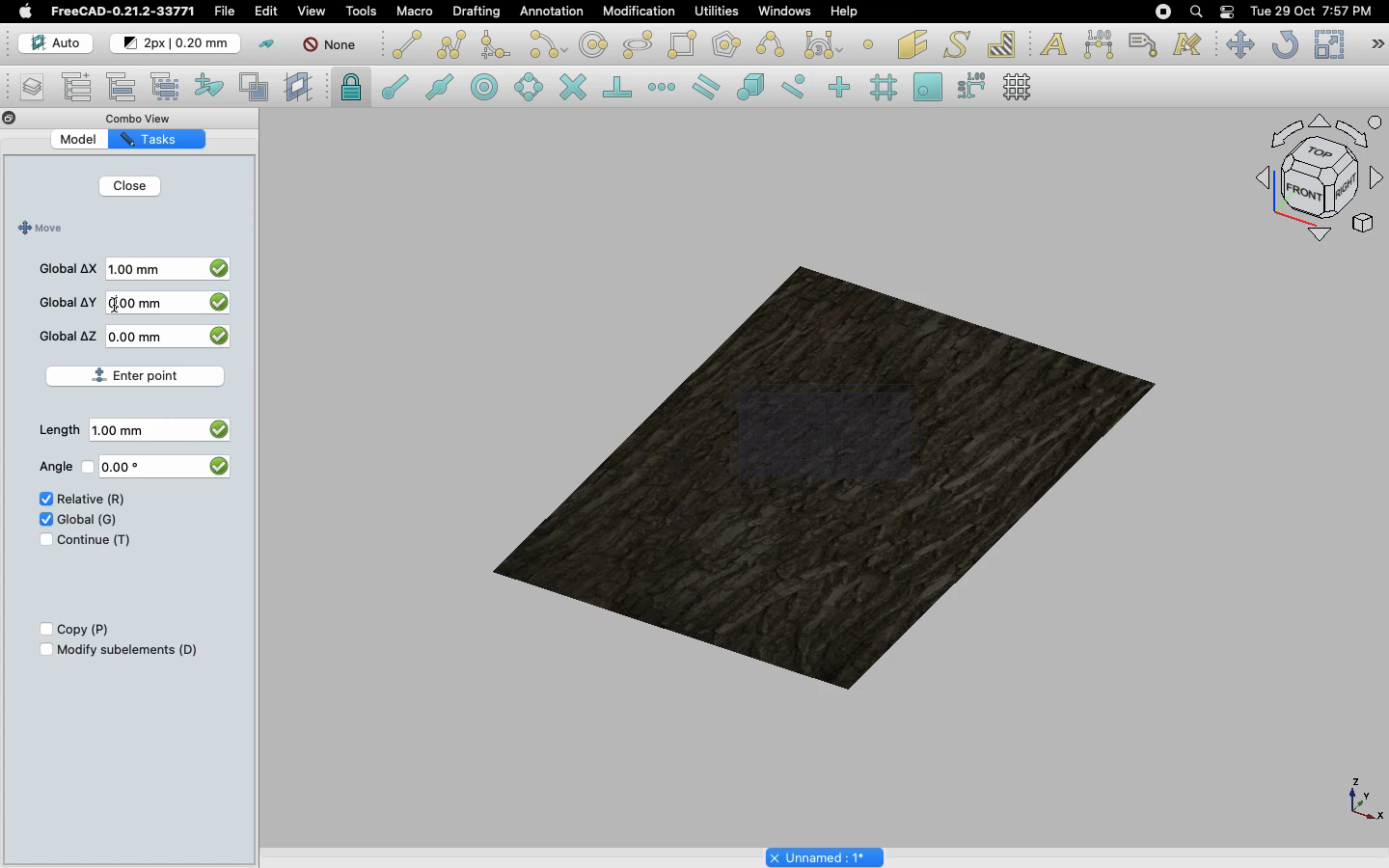  I want to click on Macro, so click(416, 12).